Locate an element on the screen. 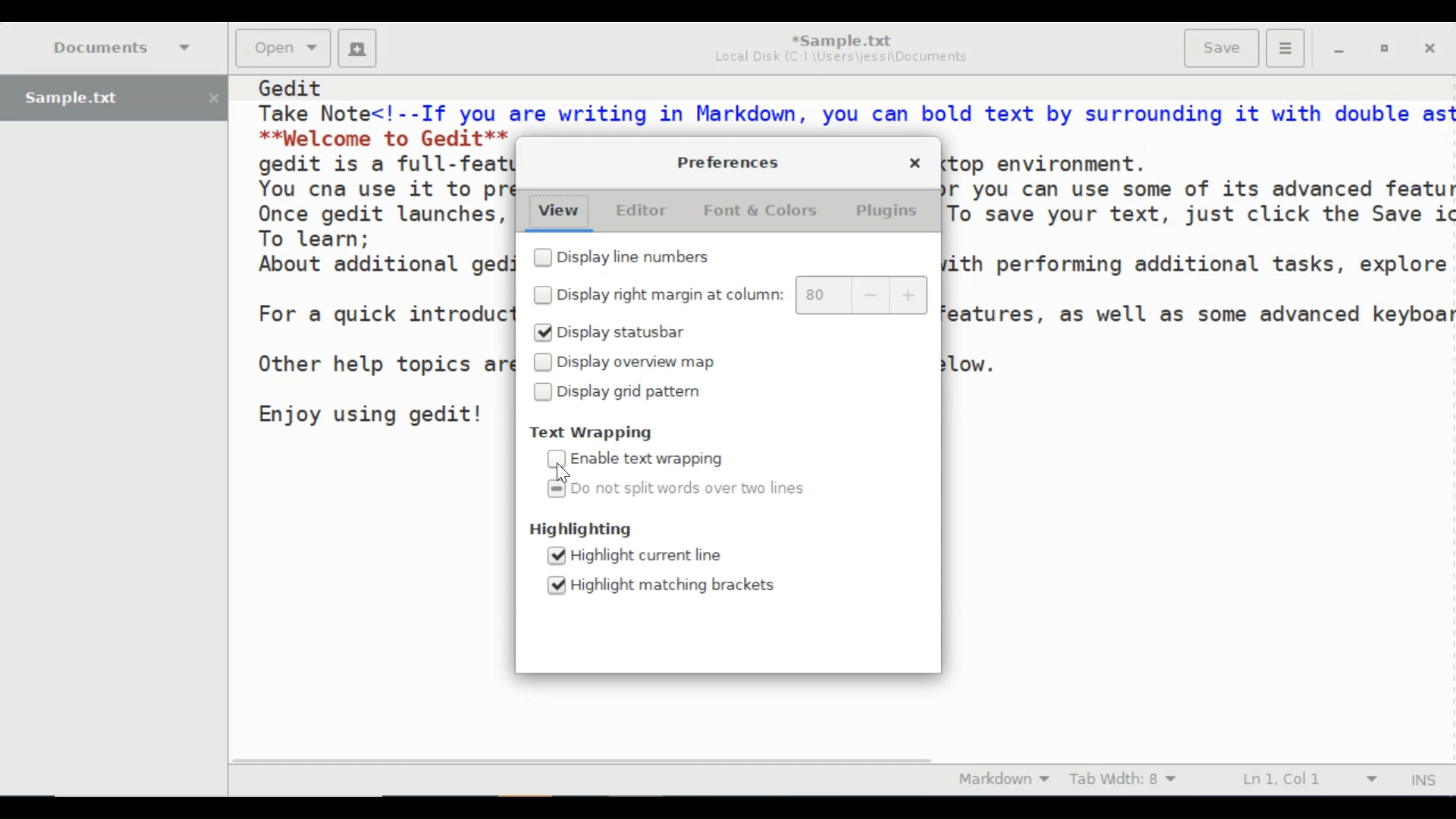 The width and height of the screenshot is (1456, 819). Plugins is located at coordinates (885, 211).